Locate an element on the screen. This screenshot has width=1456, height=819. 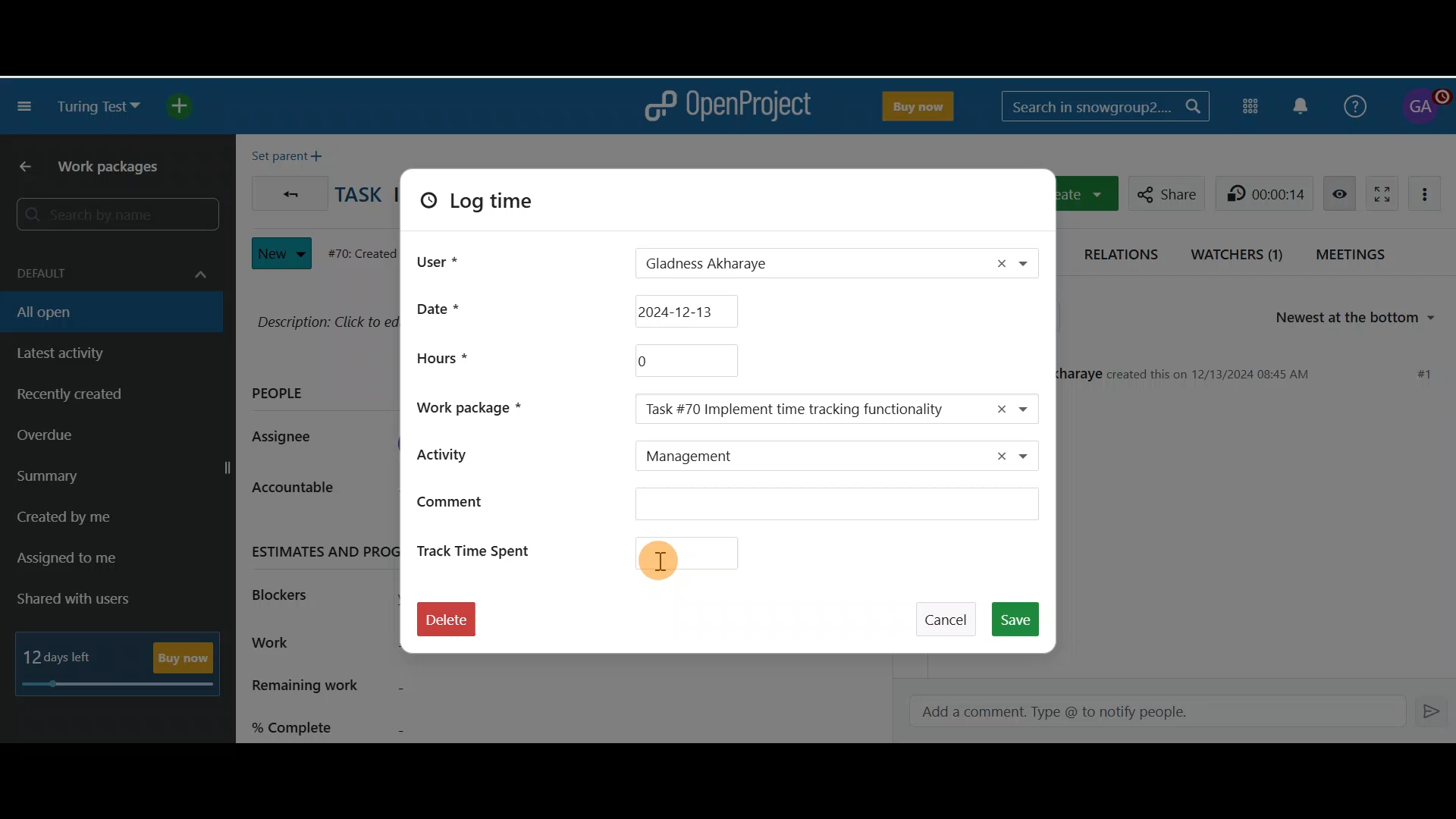
Track time spent is located at coordinates (597, 551).